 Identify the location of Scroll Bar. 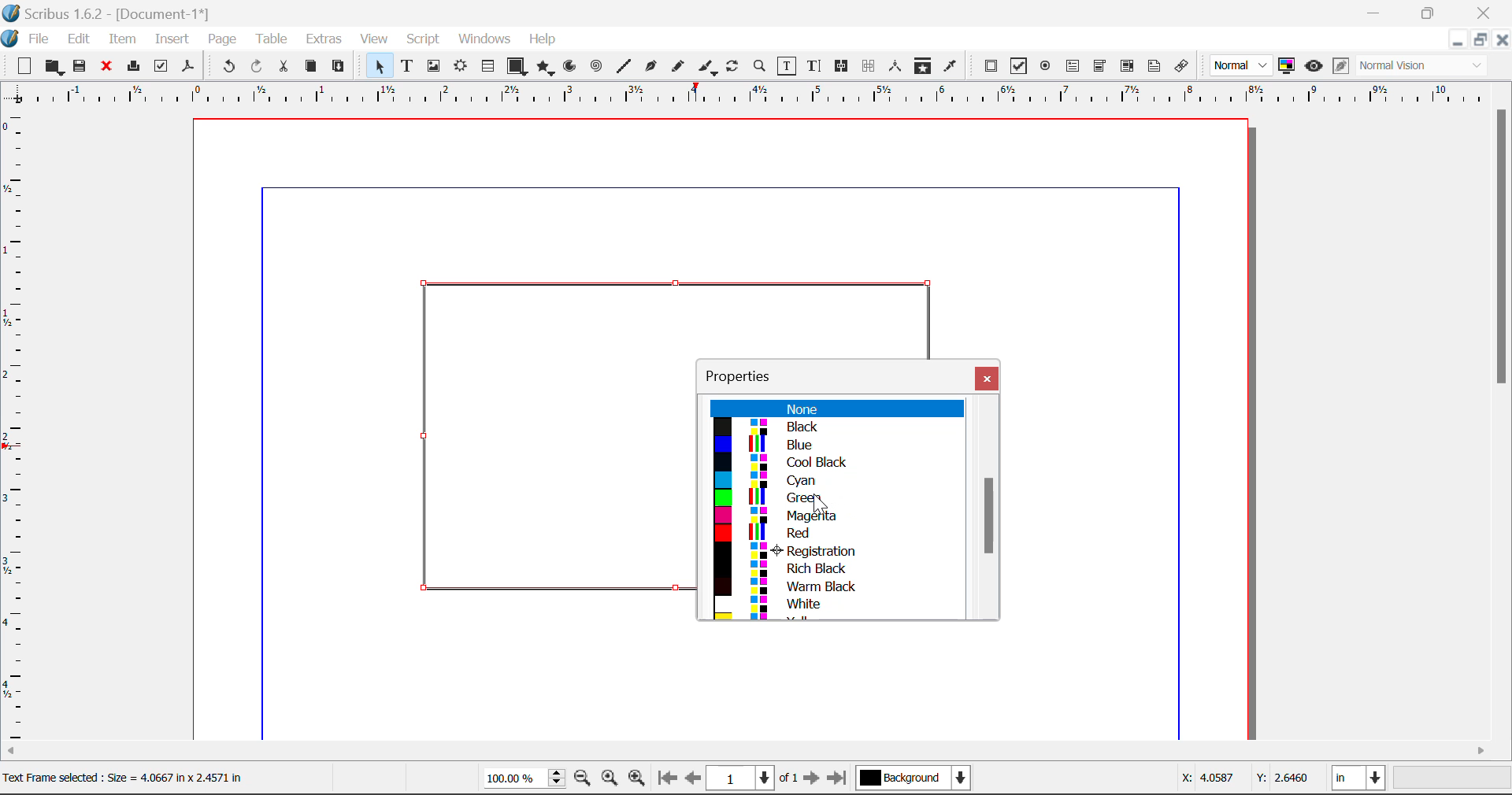
(757, 752).